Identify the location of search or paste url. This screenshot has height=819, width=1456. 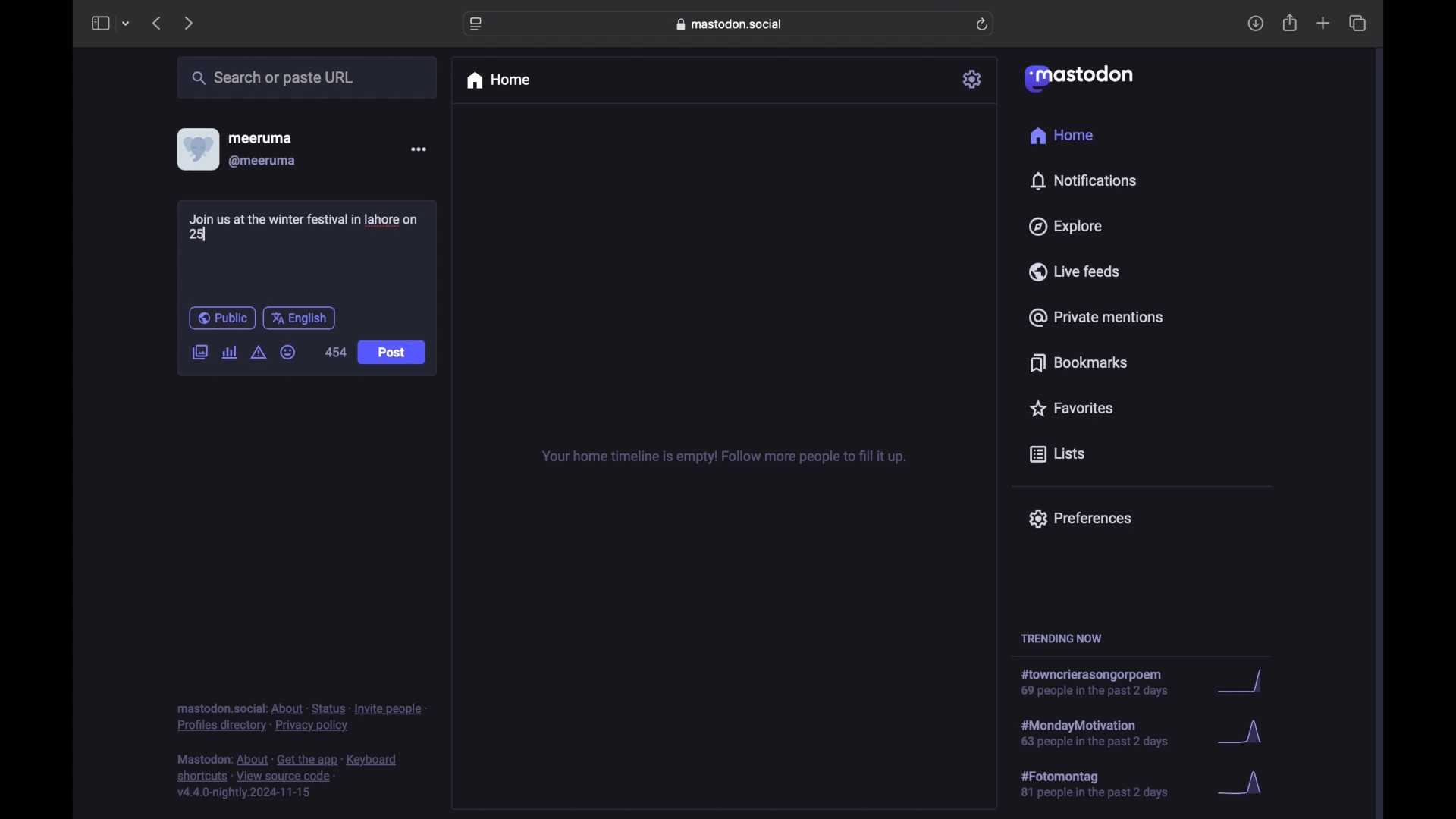
(272, 78).